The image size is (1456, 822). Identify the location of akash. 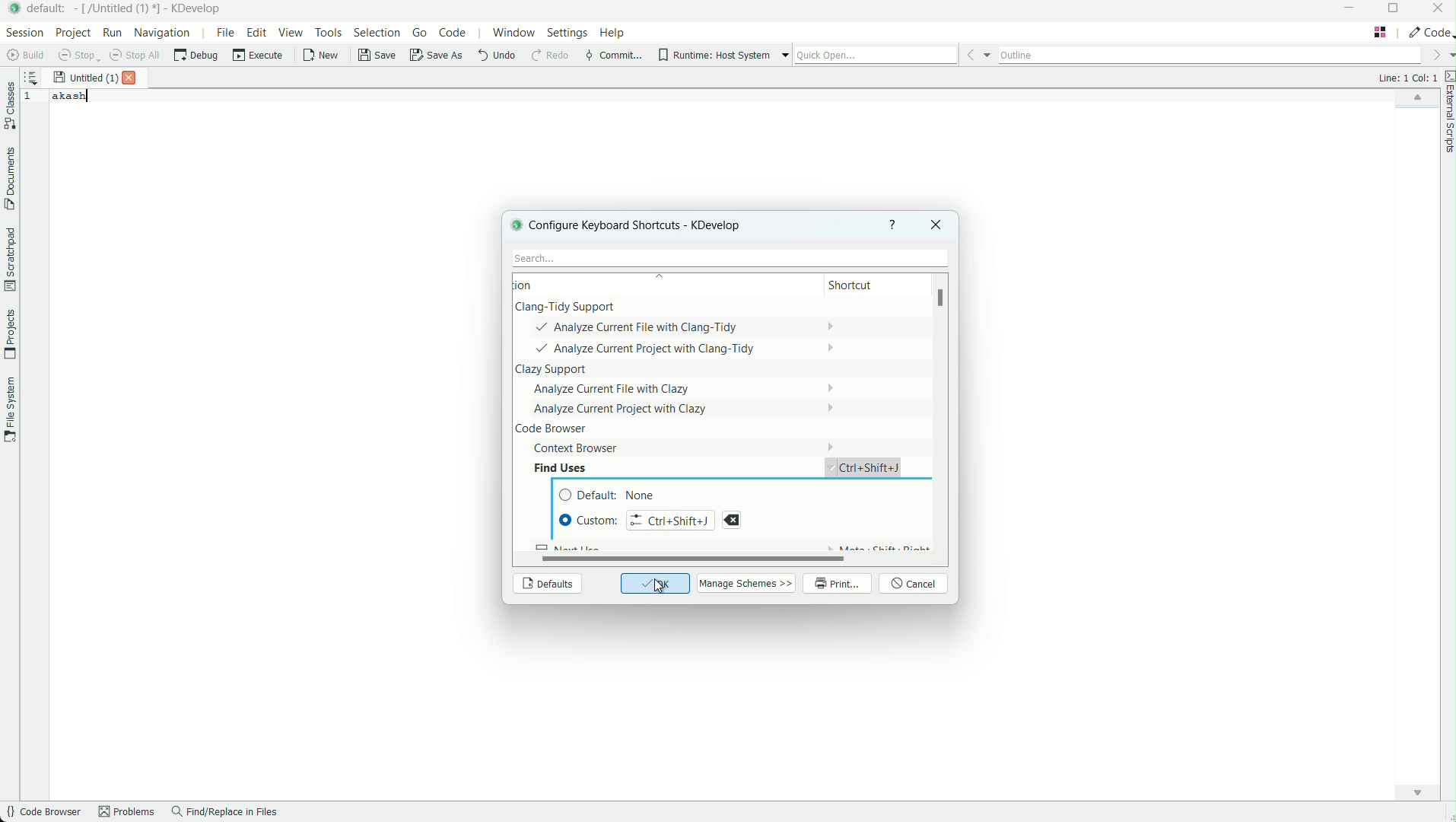
(71, 96).